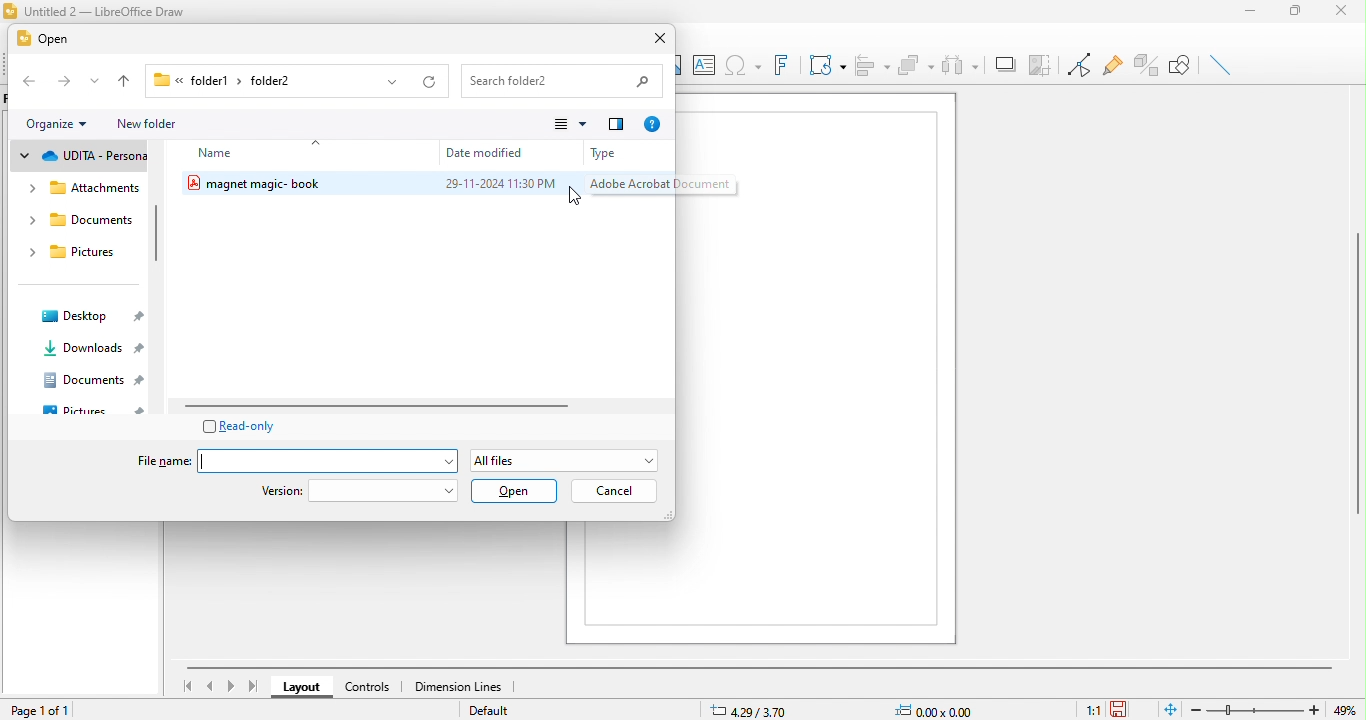 The width and height of the screenshot is (1366, 720). Describe the element at coordinates (655, 41) in the screenshot. I see `close` at that location.